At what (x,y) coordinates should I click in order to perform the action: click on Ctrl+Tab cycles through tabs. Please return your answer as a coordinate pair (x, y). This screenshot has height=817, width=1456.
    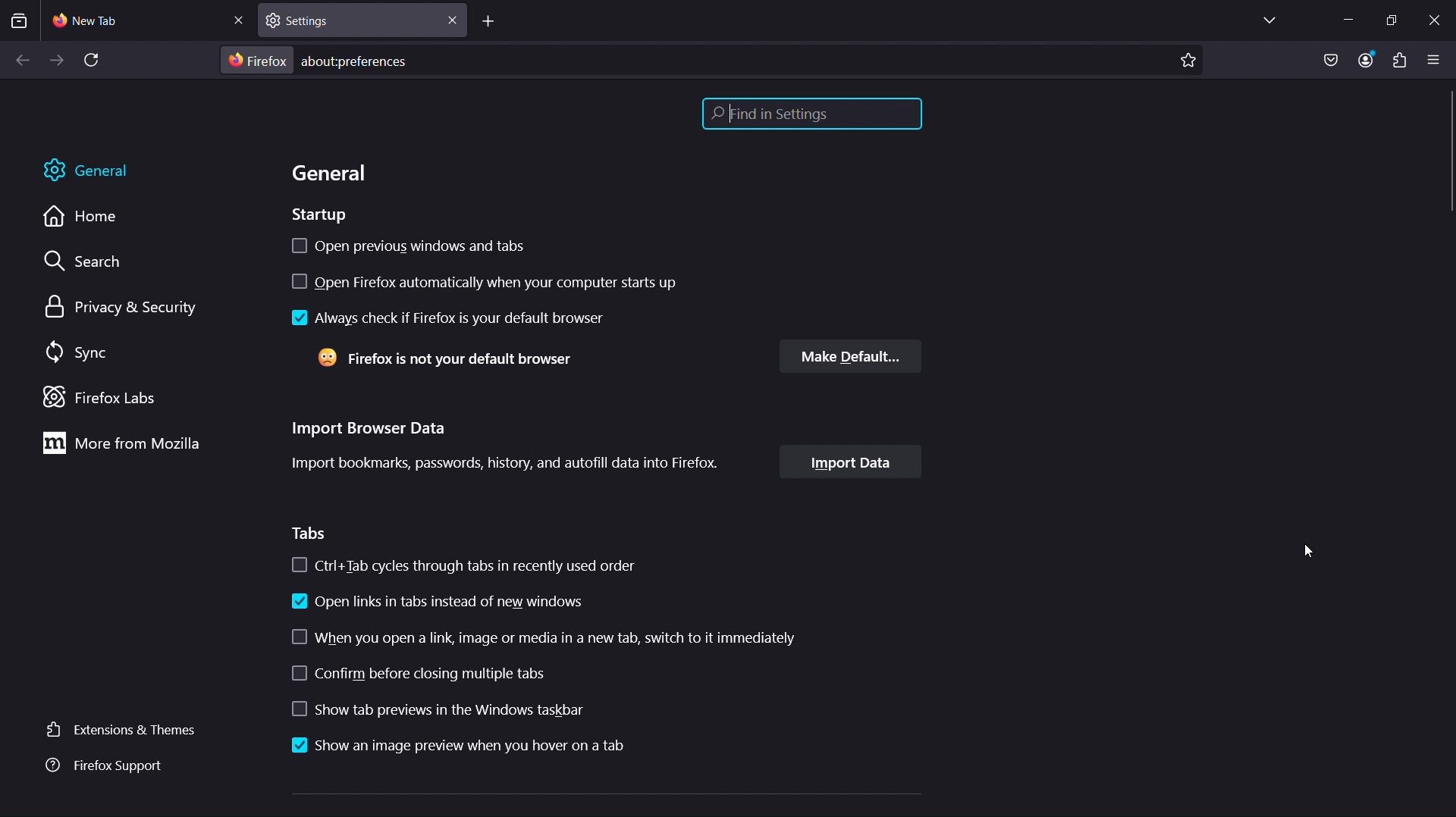
    Looking at the image, I should click on (464, 565).